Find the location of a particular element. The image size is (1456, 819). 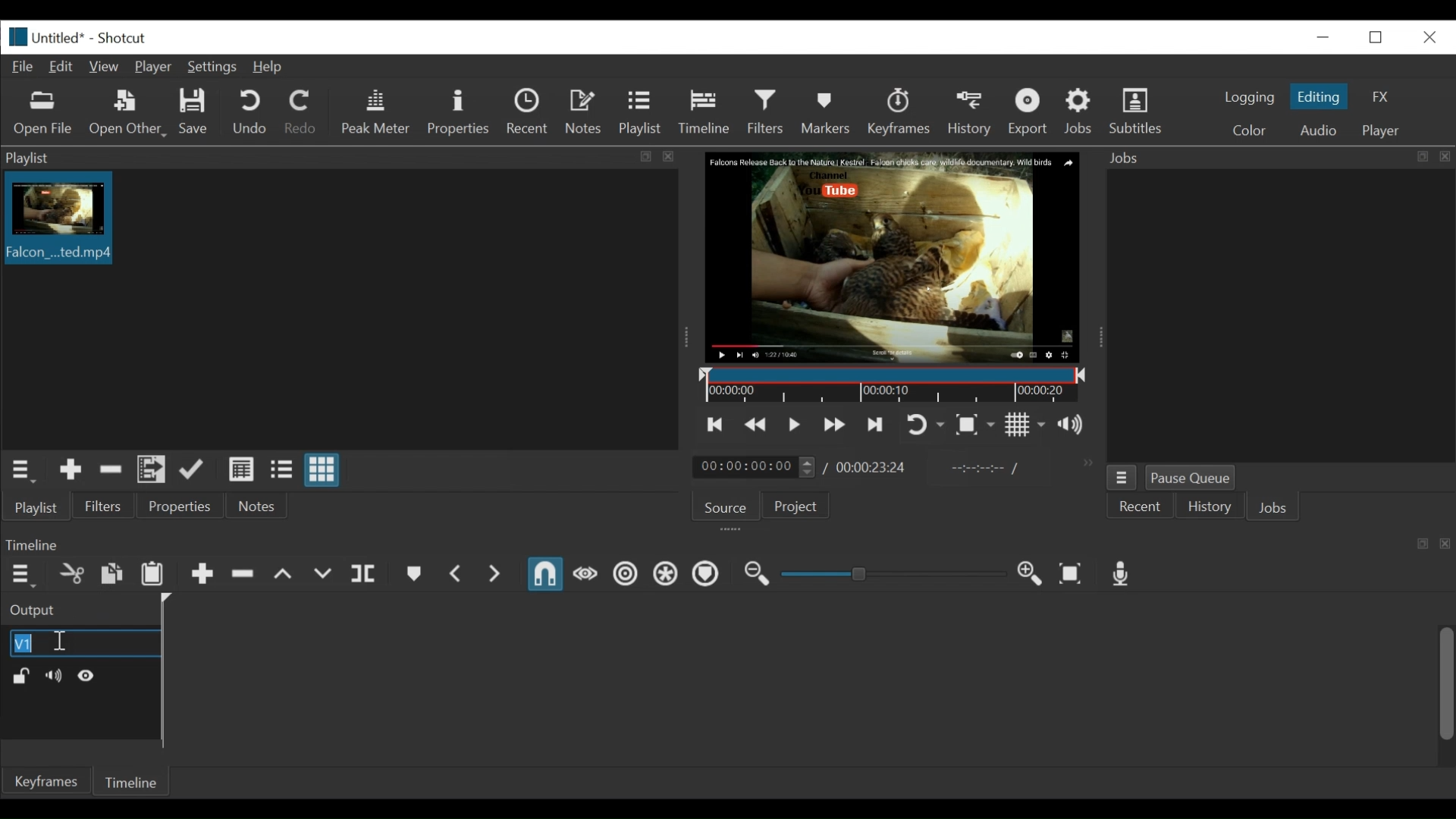

Open Other is located at coordinates (125, 113).